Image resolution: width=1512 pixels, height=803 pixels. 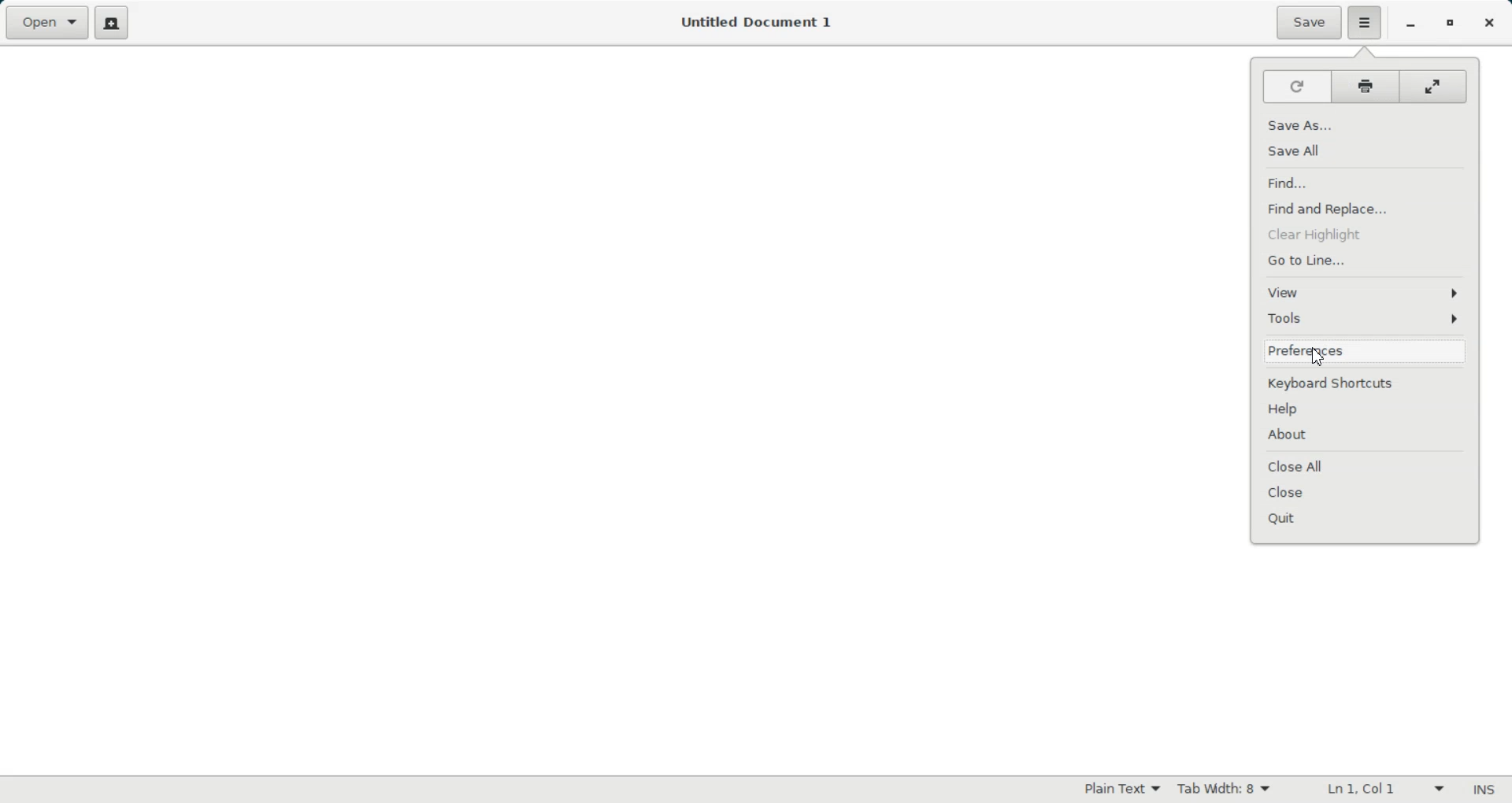 What do you see at coordinates (1367, 259) in the screenshot?
I see `Go to Line` at bounding box center [1367, 259].